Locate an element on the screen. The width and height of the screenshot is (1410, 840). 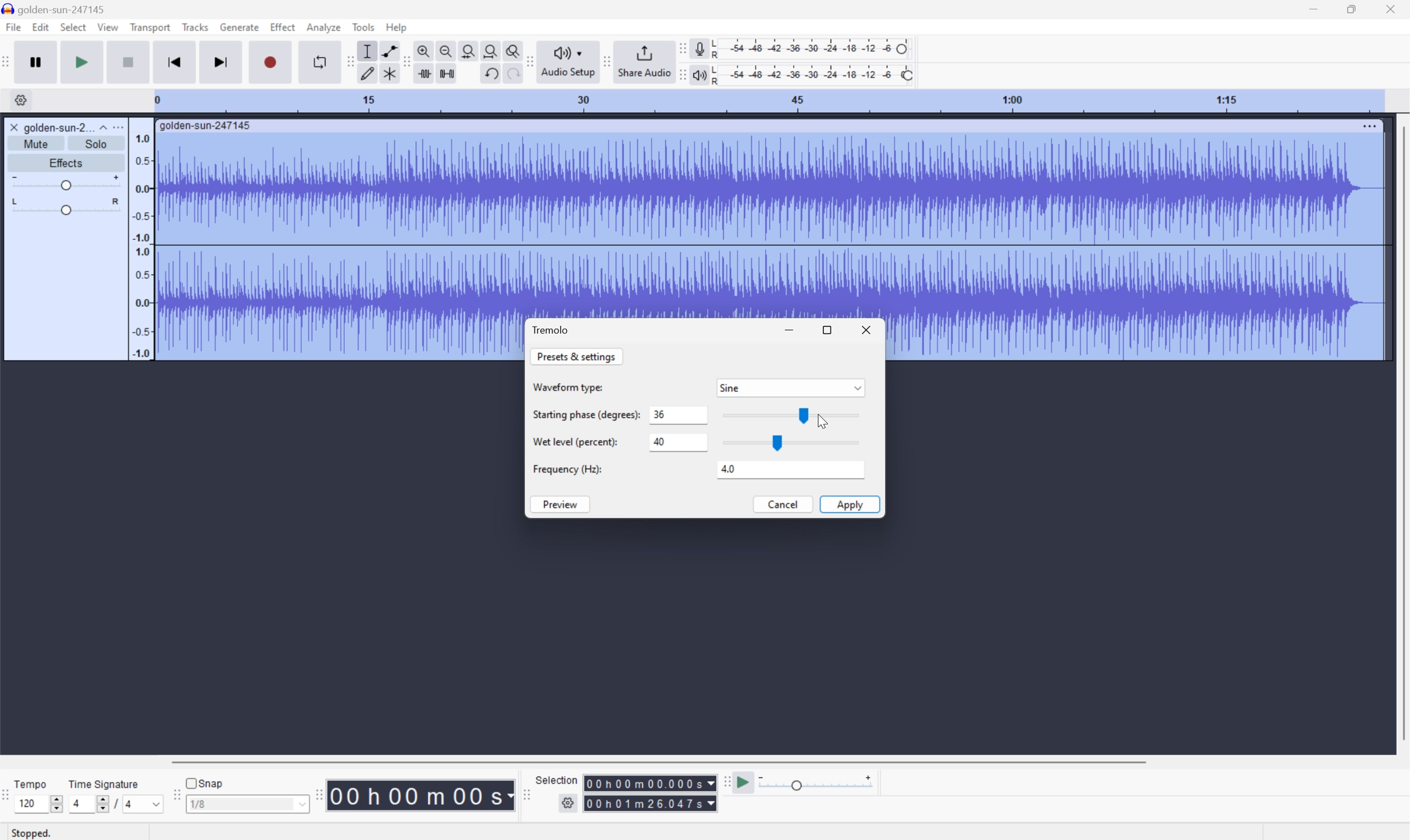
Selection is located at coordinates (650, 803).